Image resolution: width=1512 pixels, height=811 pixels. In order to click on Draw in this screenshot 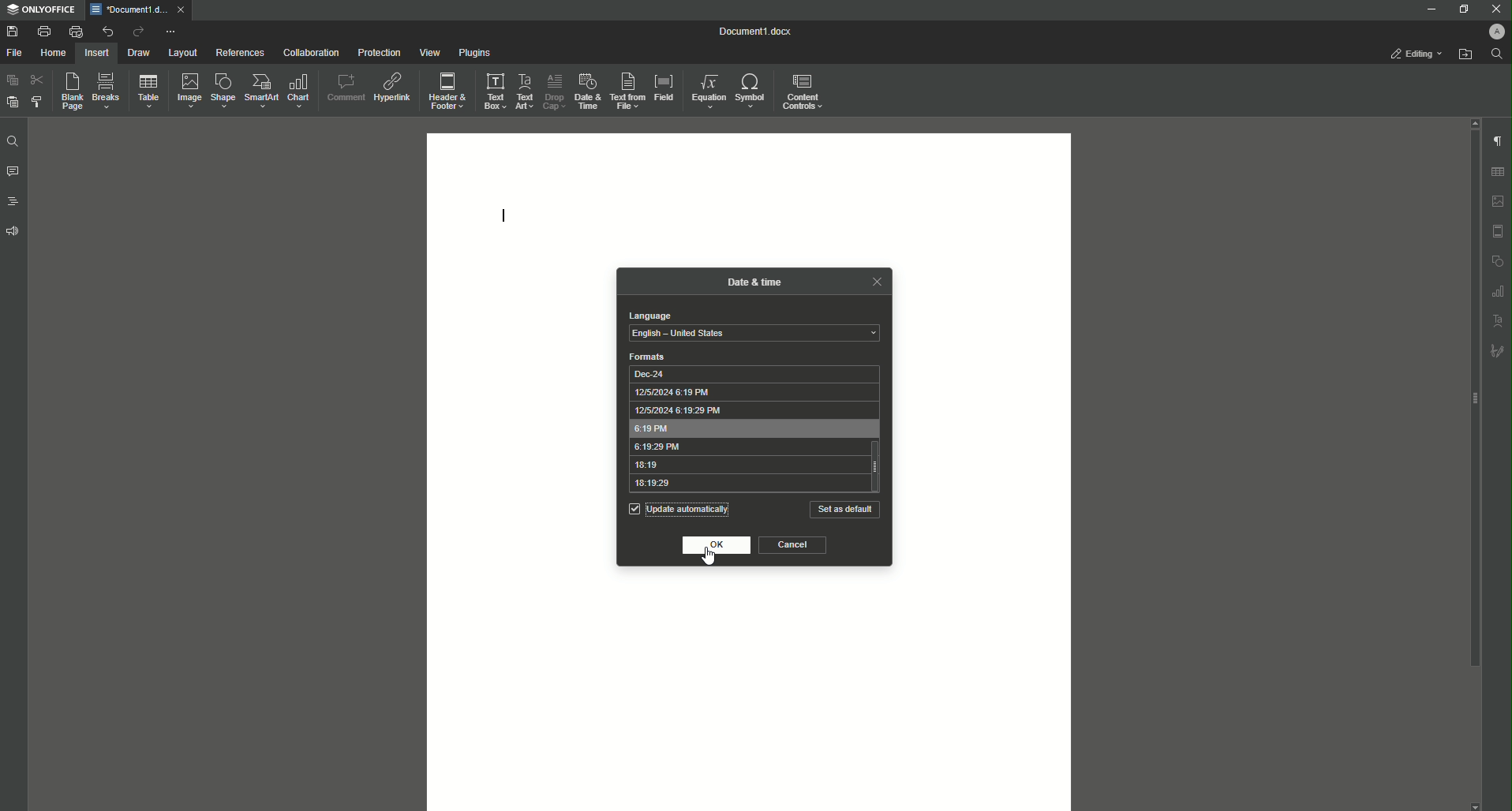, I will do `click(139, 52)`.